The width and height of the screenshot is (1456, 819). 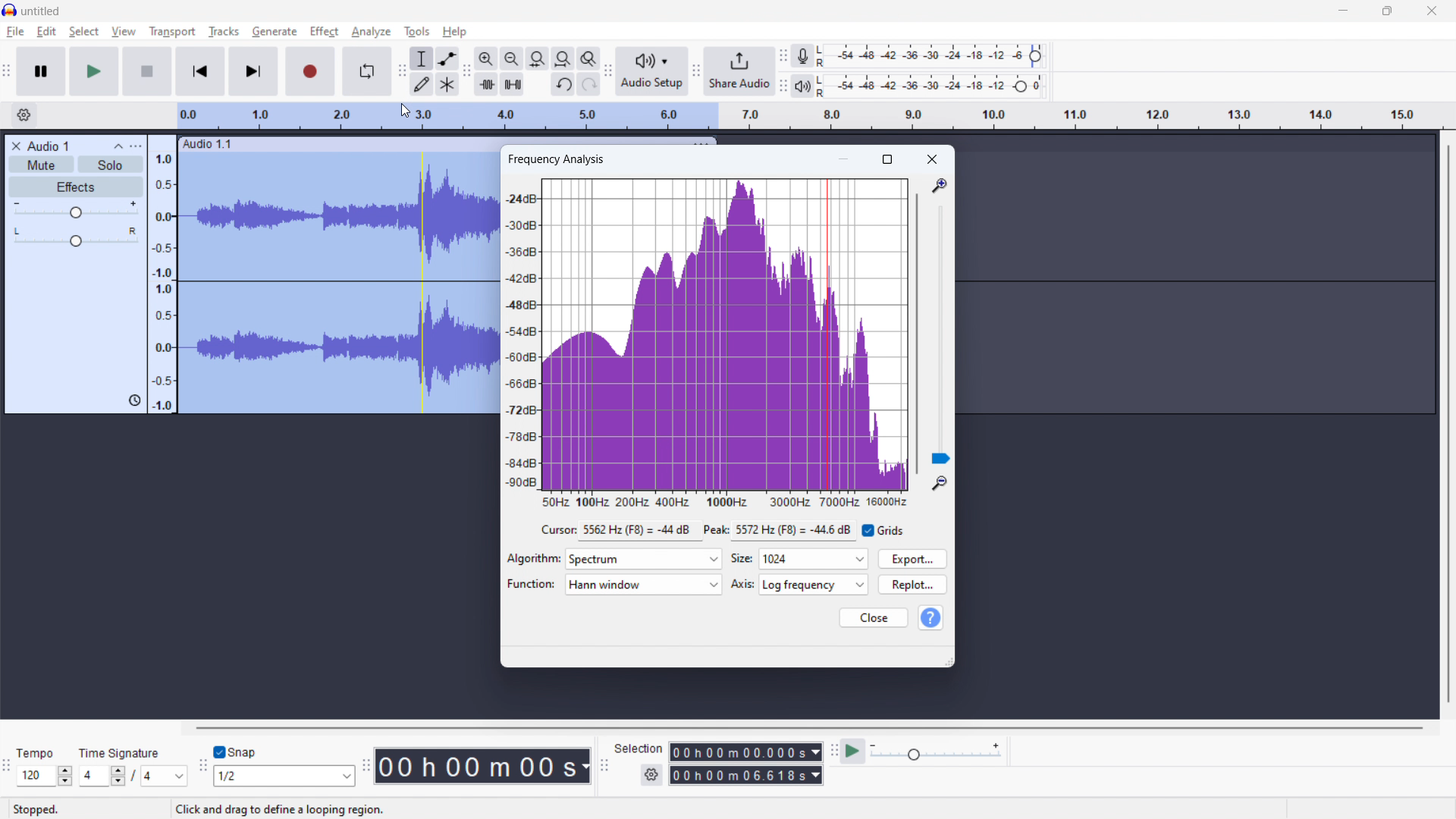 What do you see at coordinates (746, 776) in the screenshot?
I see `end time` at bounding box center [746, 776].